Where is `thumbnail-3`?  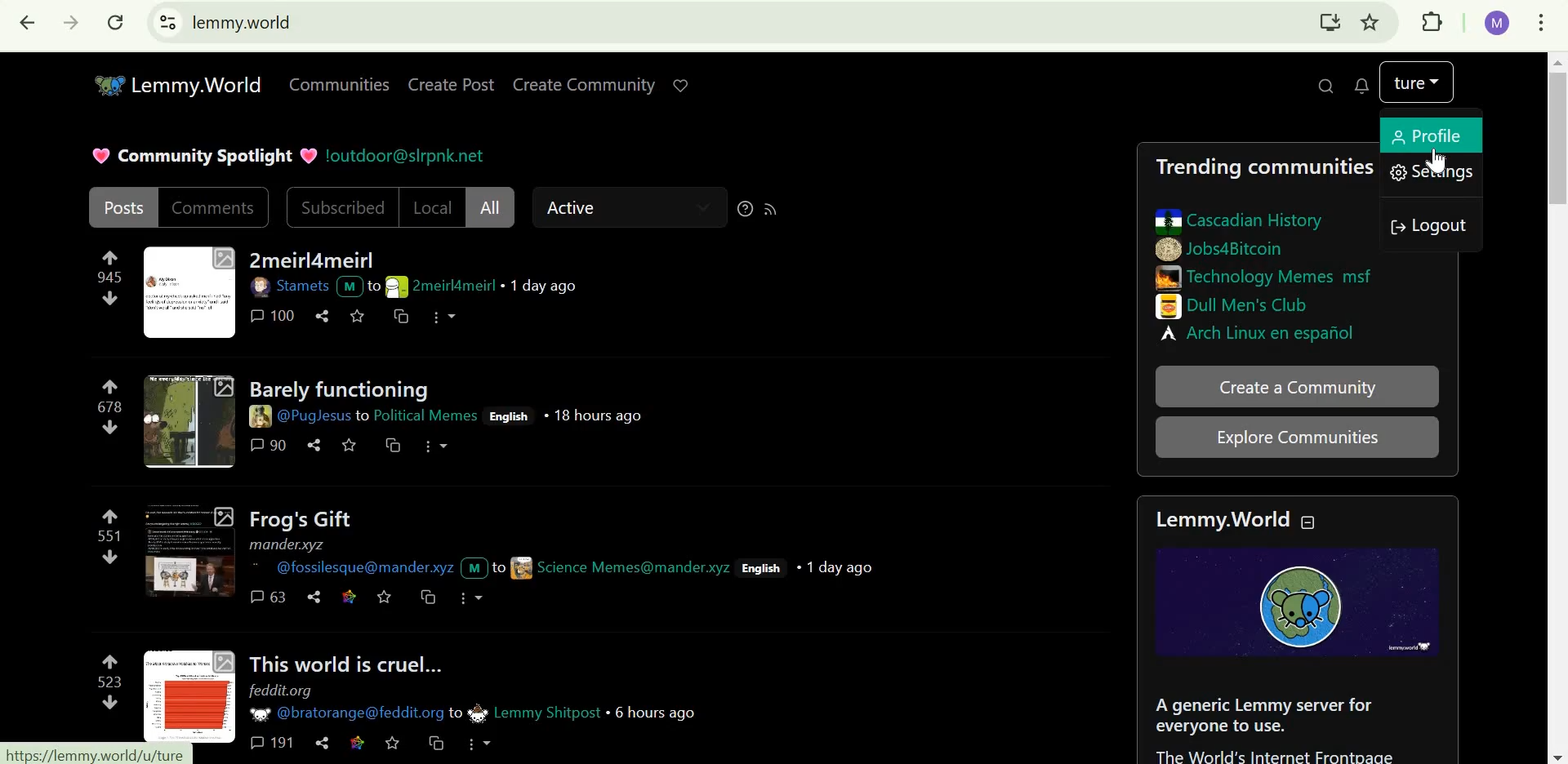
thumbnail-3 is located at coordinates (186, 552).